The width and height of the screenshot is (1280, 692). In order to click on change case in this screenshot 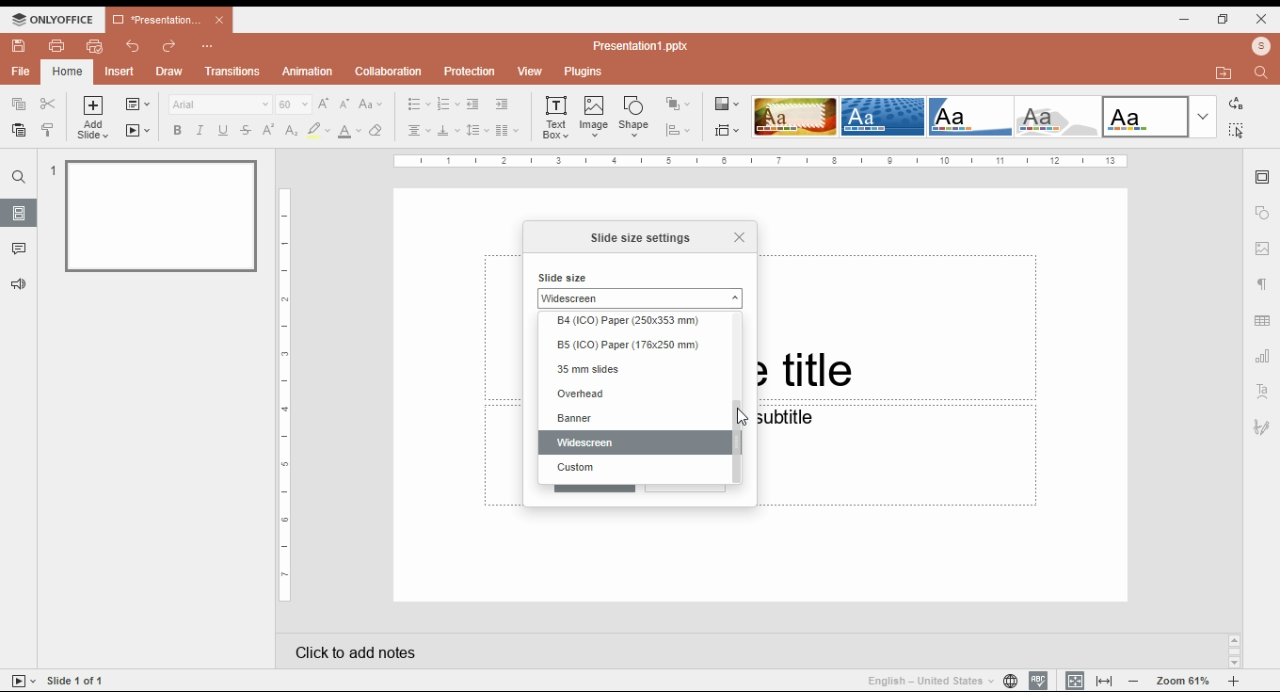, I will do `click(371, 104)`.